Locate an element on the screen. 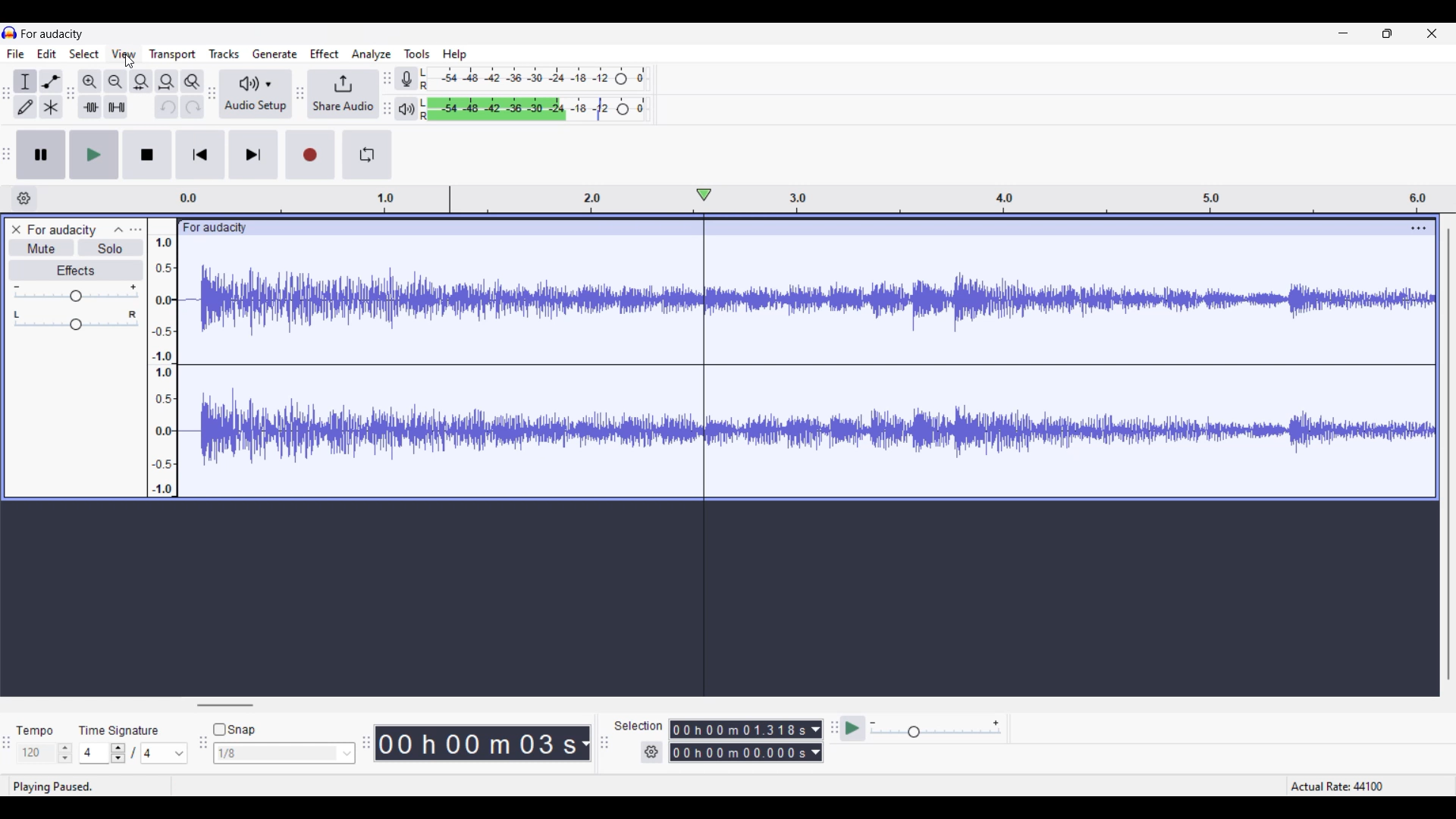  Solo is located at coordinates (111, 249).